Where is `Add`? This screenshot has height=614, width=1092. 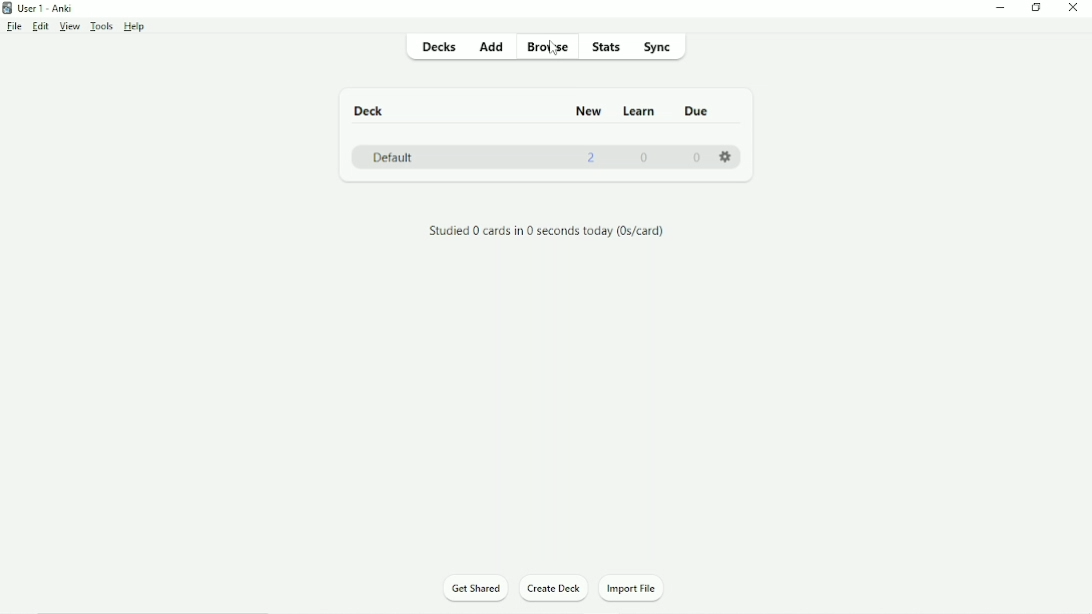 Add is located at coordinates (491, 48).